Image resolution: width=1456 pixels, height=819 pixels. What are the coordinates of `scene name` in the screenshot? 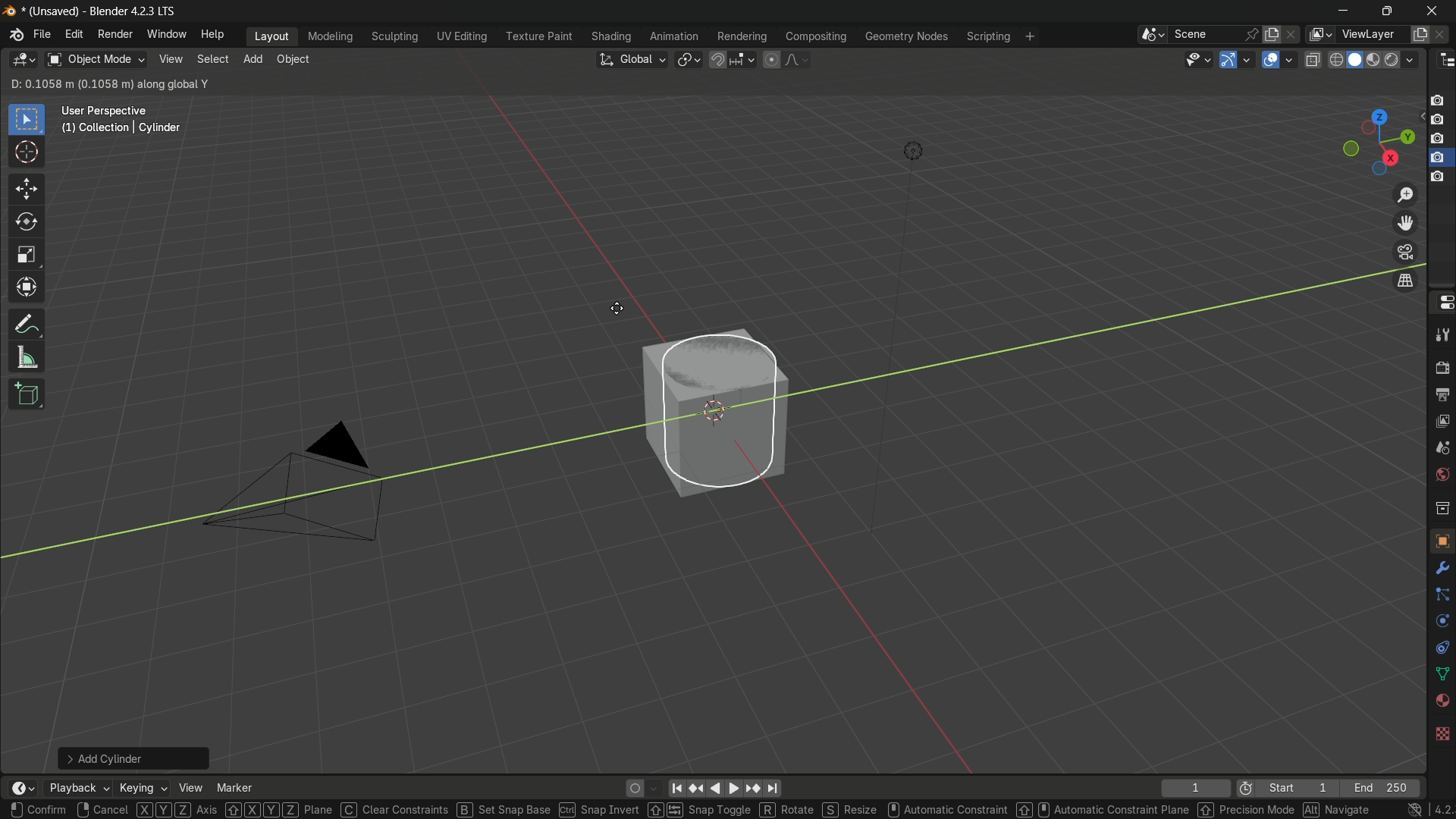 It's located at (1205, 34).